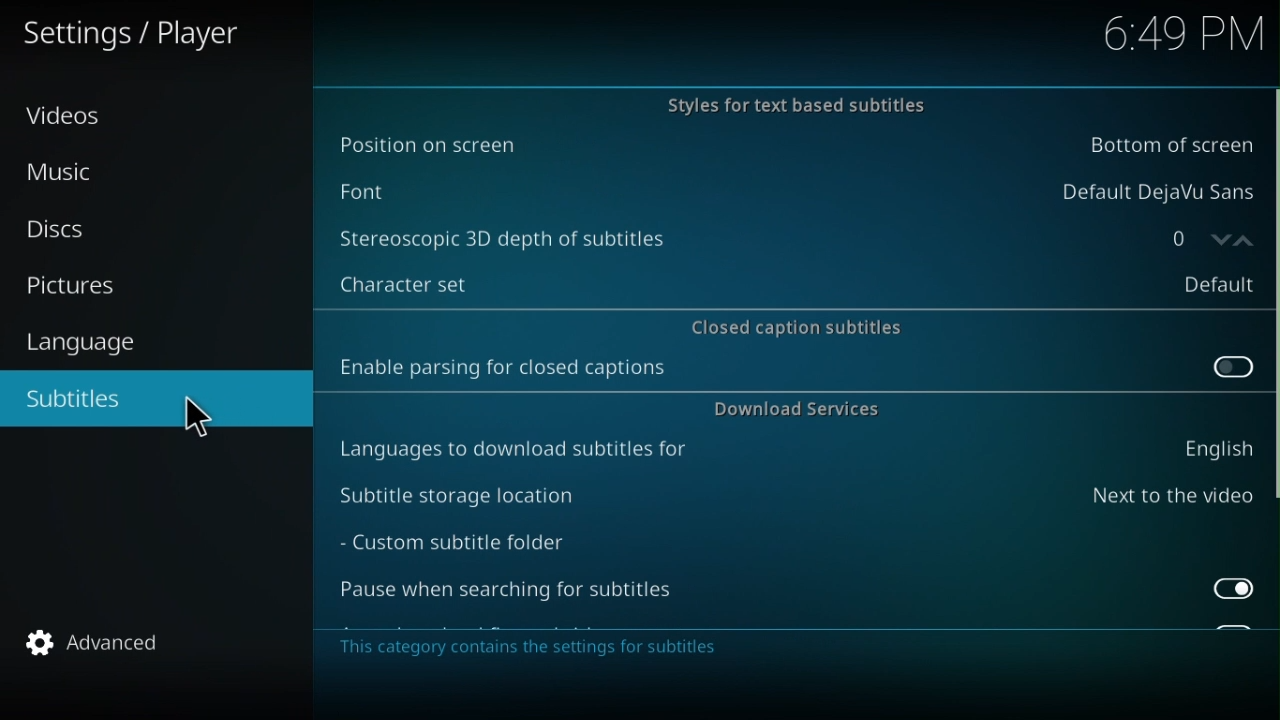  I want to click on Closed caption subtitles, so click(794, 324).